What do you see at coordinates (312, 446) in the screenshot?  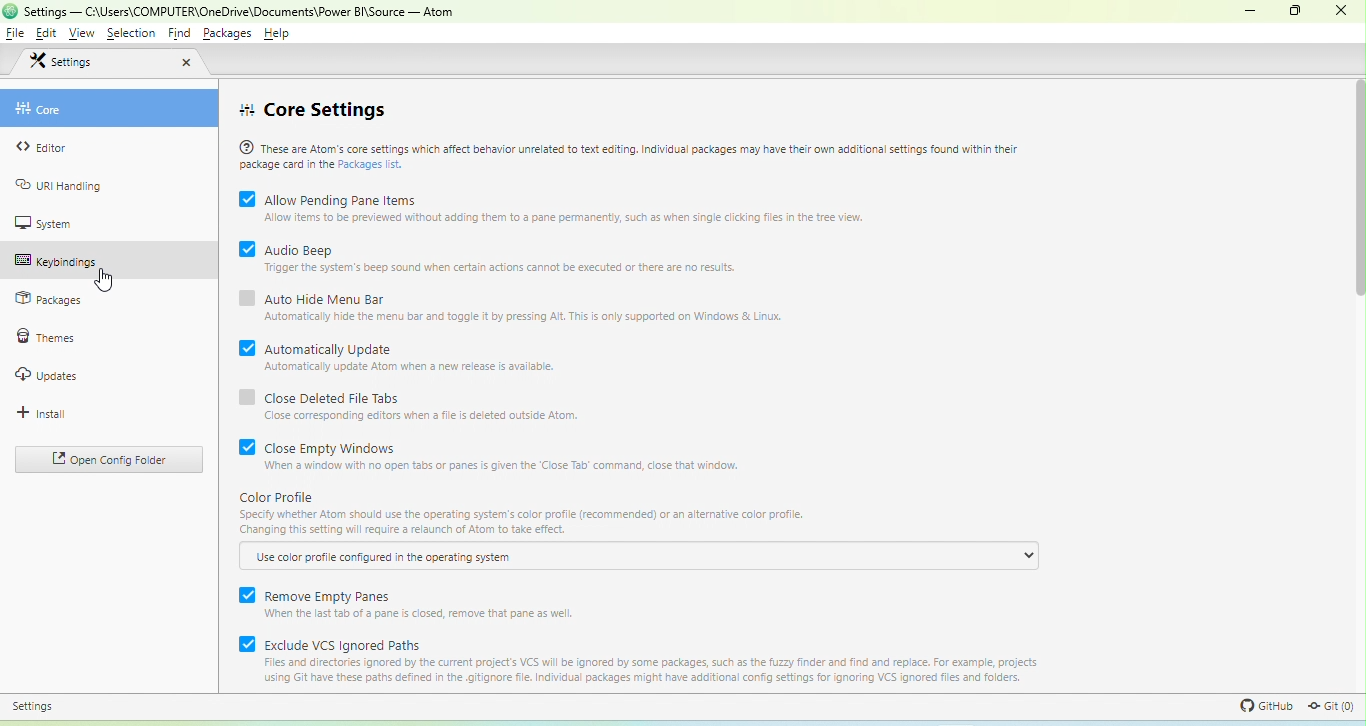 I see `close empty windows` at bounding box center [312, 446].